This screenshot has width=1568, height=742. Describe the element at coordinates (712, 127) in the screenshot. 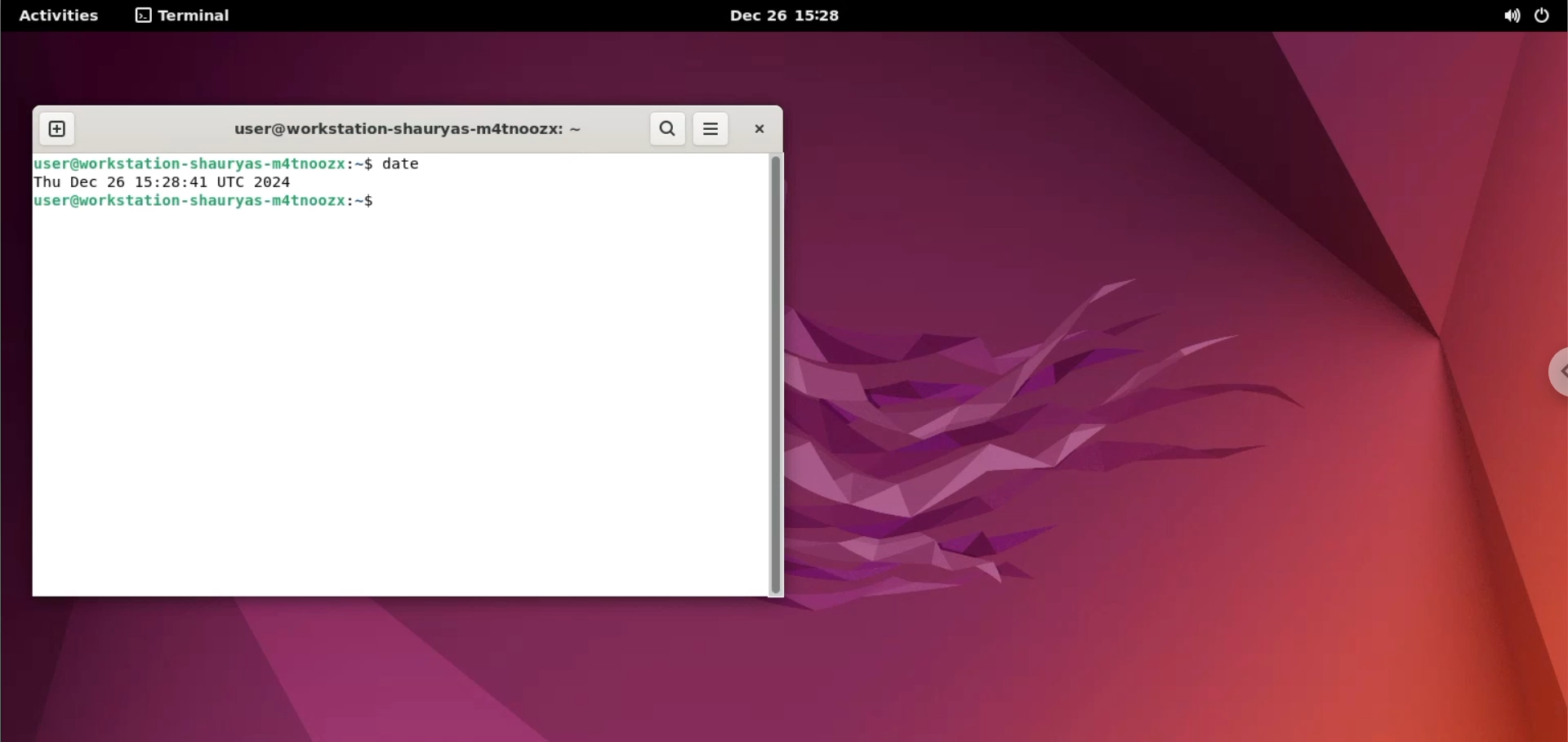

I see `more options` at that location.